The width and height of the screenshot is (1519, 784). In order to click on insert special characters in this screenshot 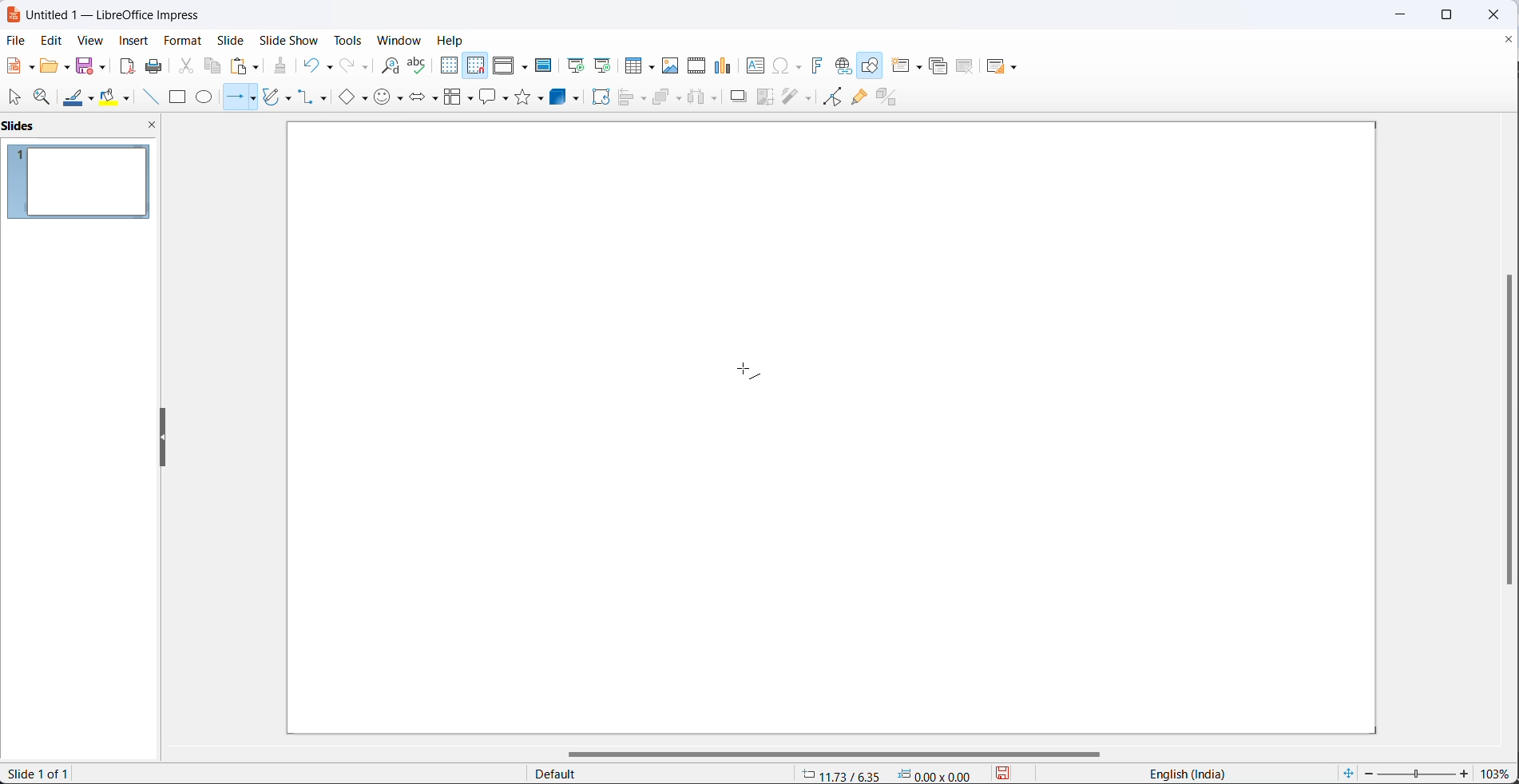, I will do `click(787, 65)`.